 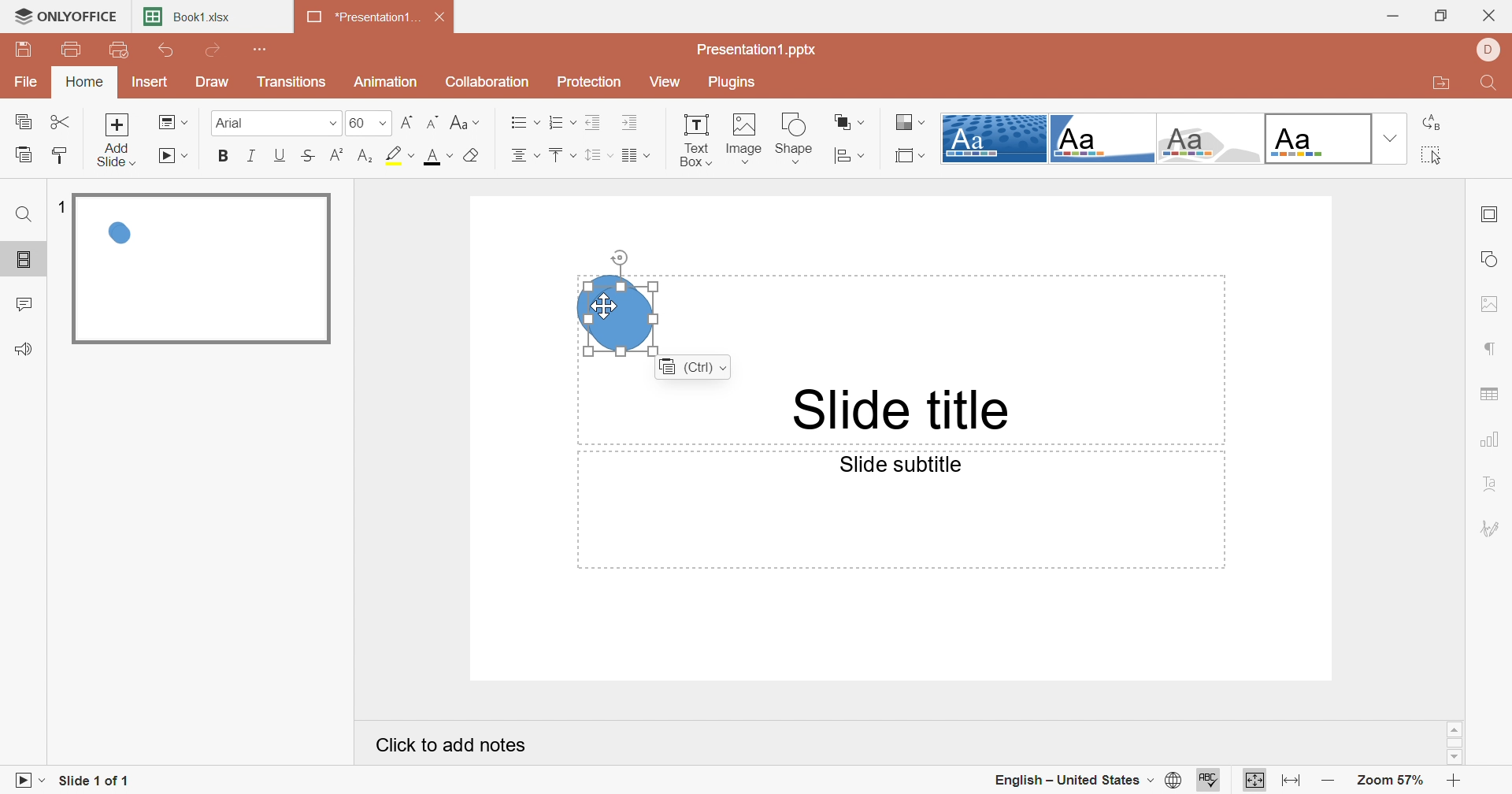 What do you see at coordinates (1210, 139) in the screenshot?
I see `Turtle` at bounding box center [1210, 139].